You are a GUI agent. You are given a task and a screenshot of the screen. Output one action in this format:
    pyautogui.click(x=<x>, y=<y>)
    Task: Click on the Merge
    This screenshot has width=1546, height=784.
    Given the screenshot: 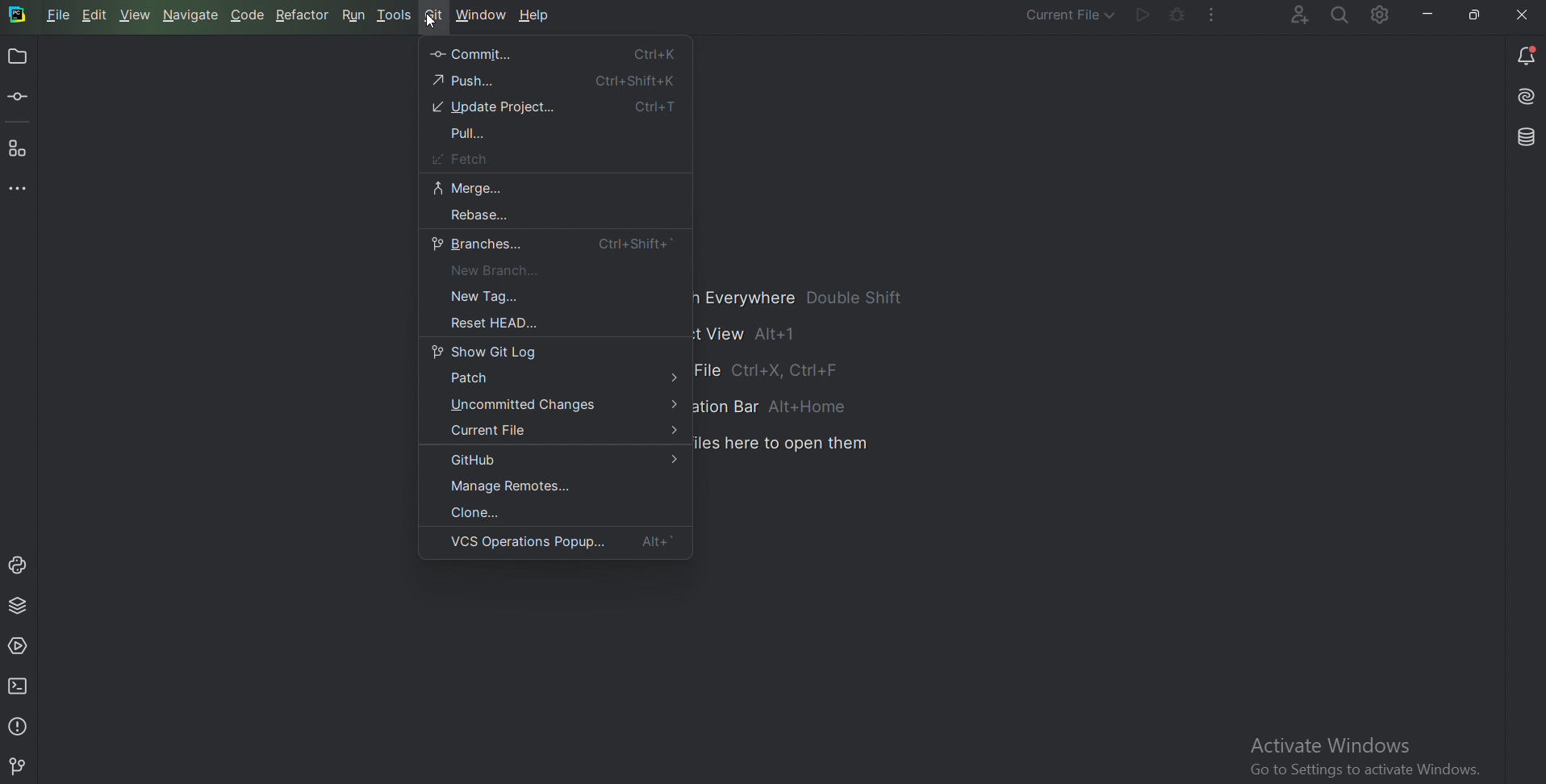 What is the action you would take?
    pyautogui.click(x=469, y=188)
    